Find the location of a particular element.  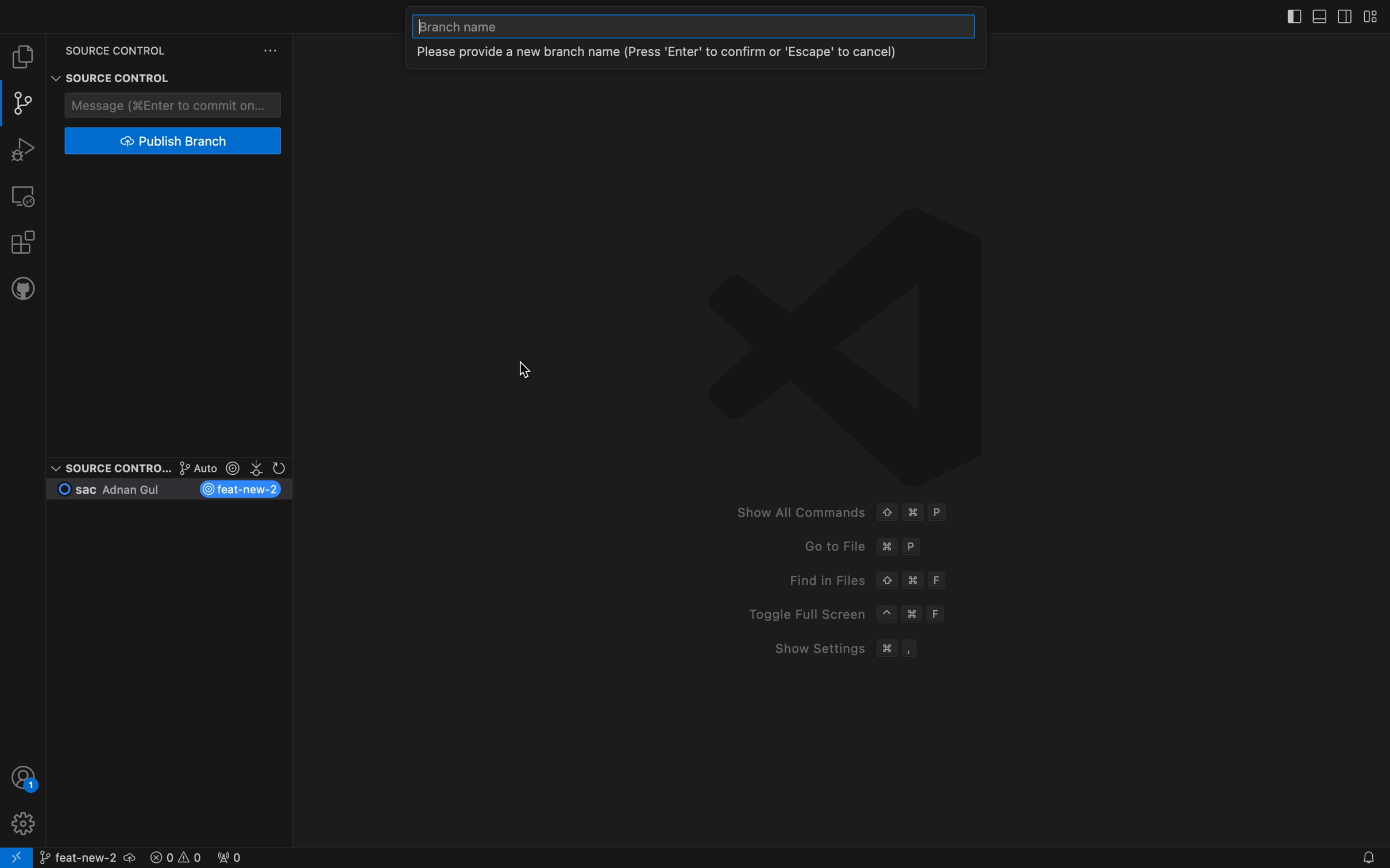

Source control is located at coordinates (107, 67).